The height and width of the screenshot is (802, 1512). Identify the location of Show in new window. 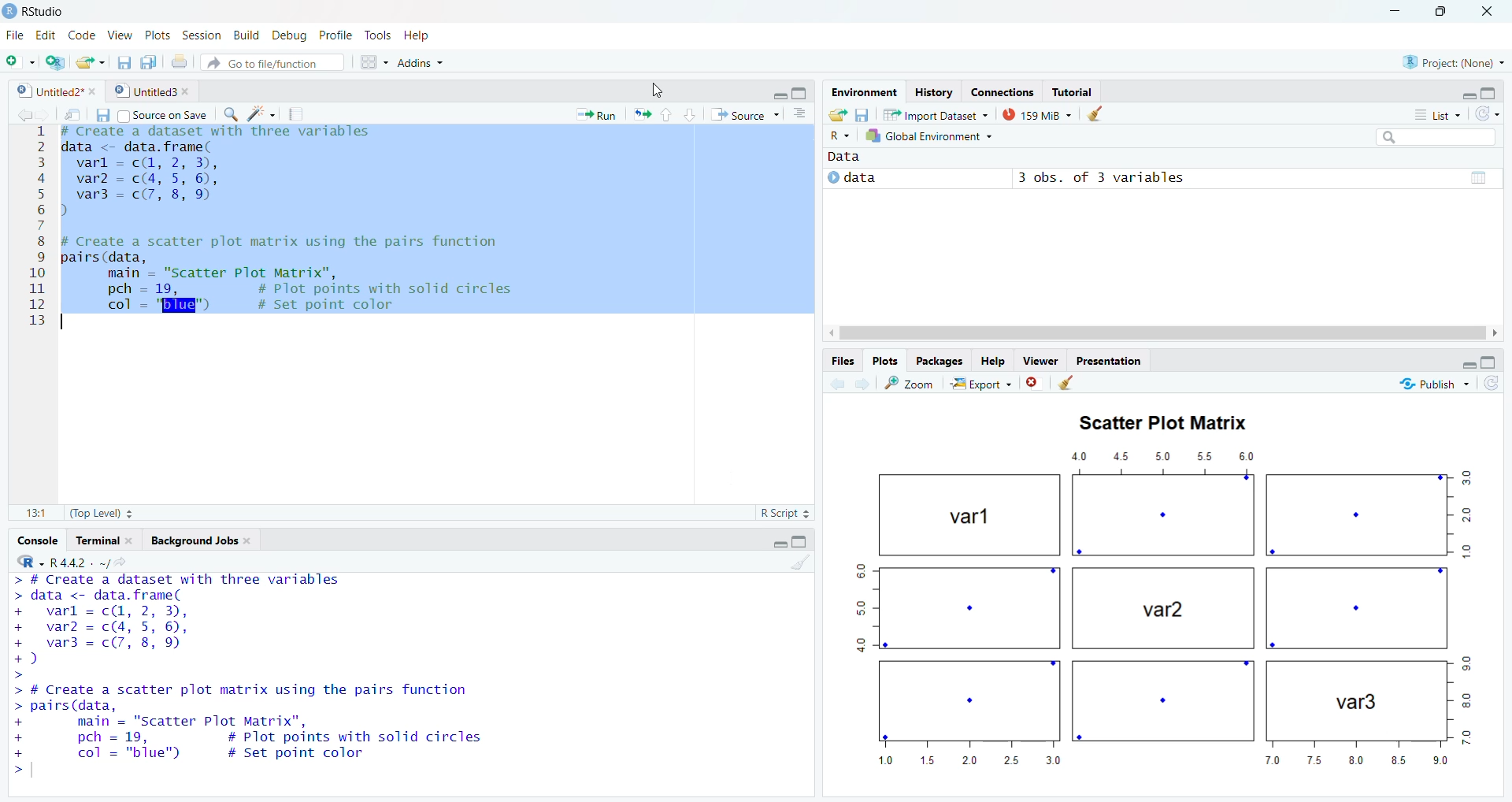
(69, 113).